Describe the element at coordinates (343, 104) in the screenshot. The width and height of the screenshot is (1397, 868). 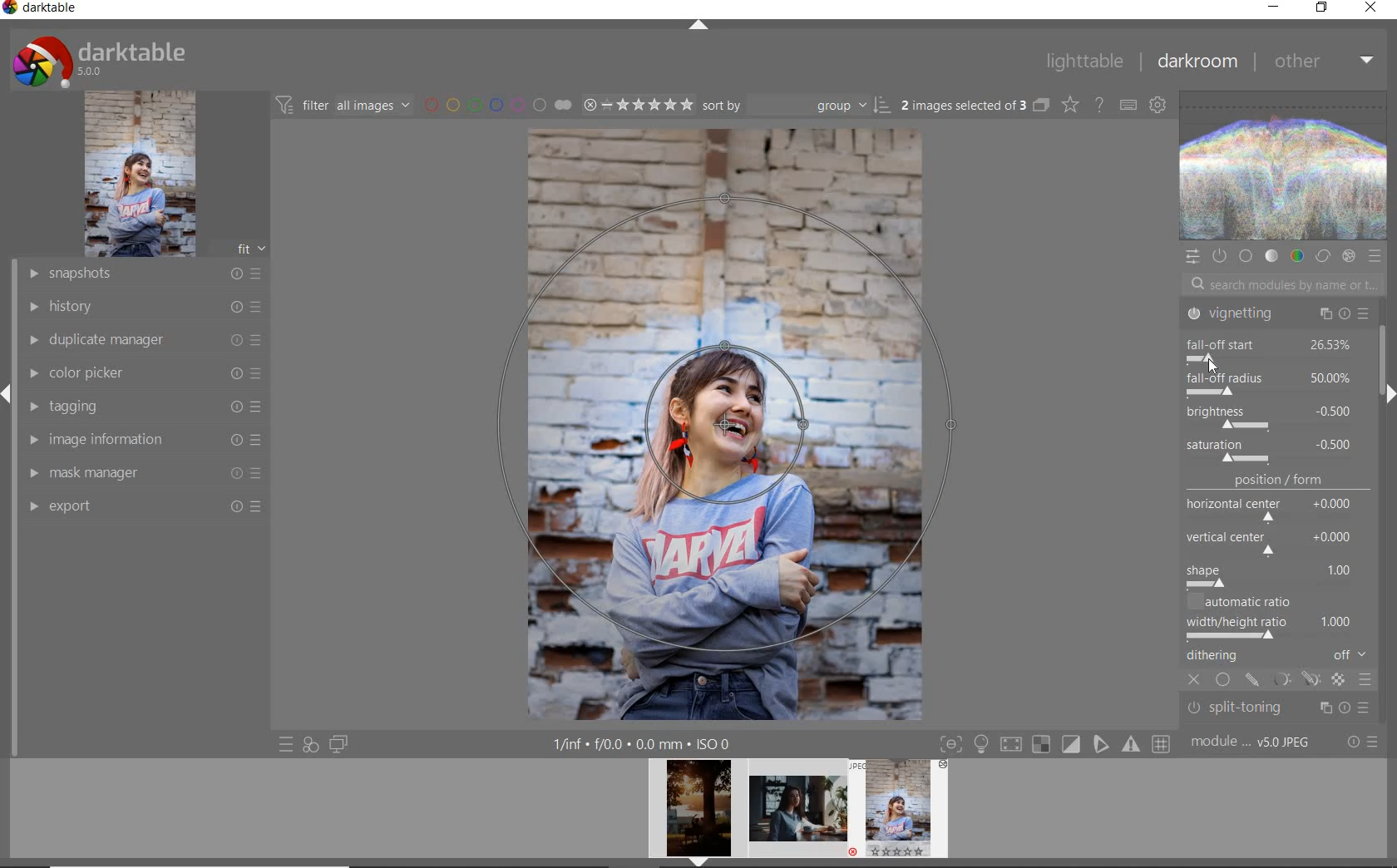
I see `filter image` at that location.